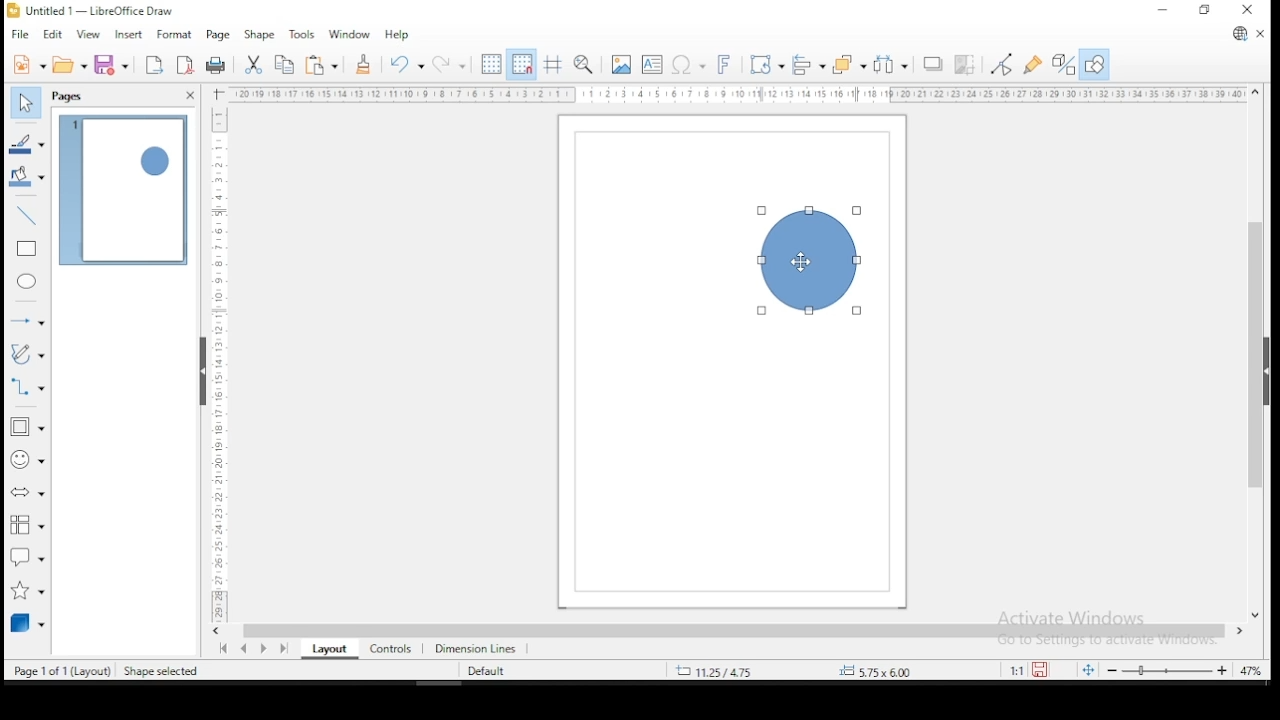 The width and height of the screenshot is (1280, 720). I want to click on select, so click(24, 100).